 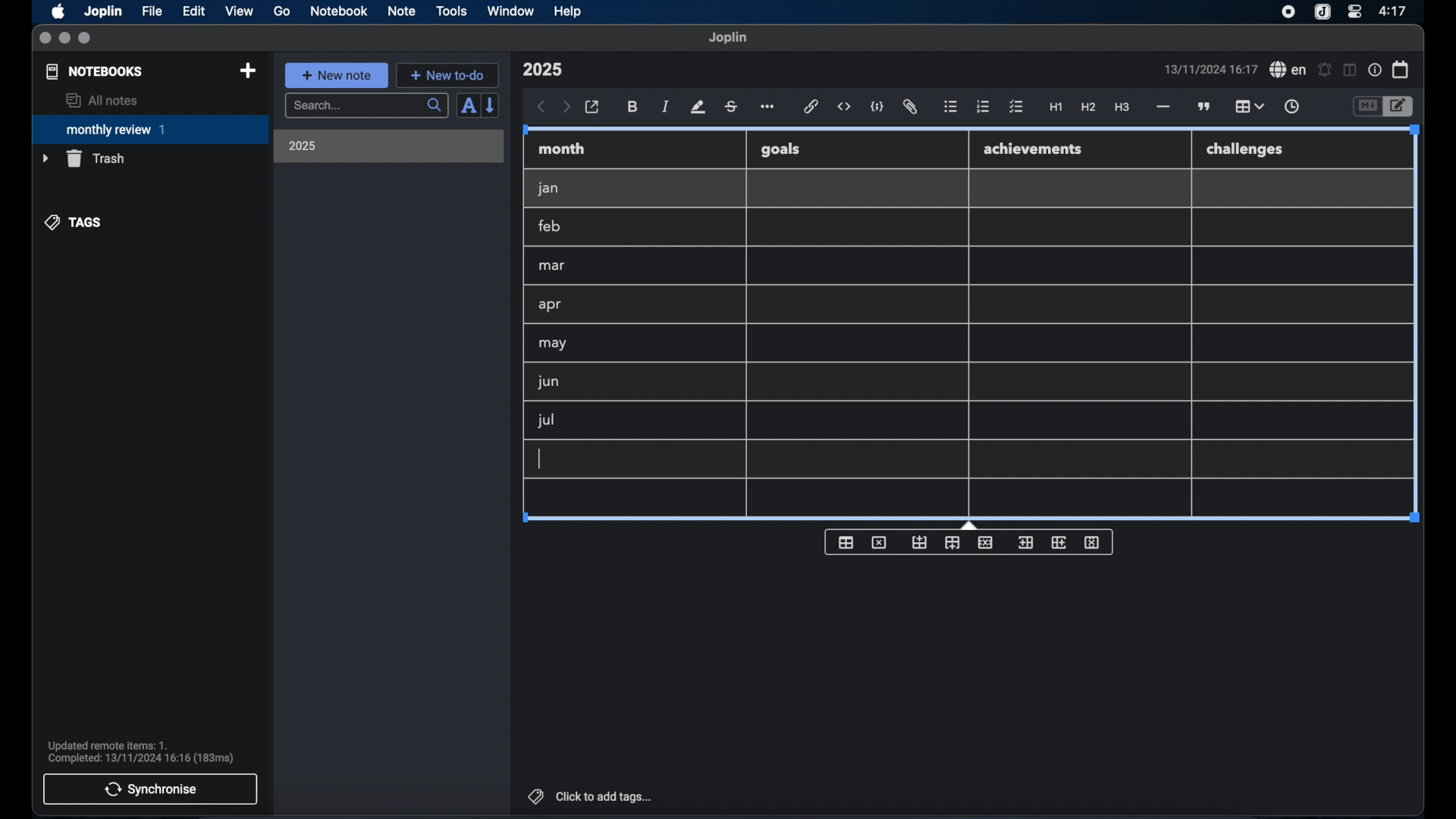 I want to click on highlight, so click(x=698, y=107).